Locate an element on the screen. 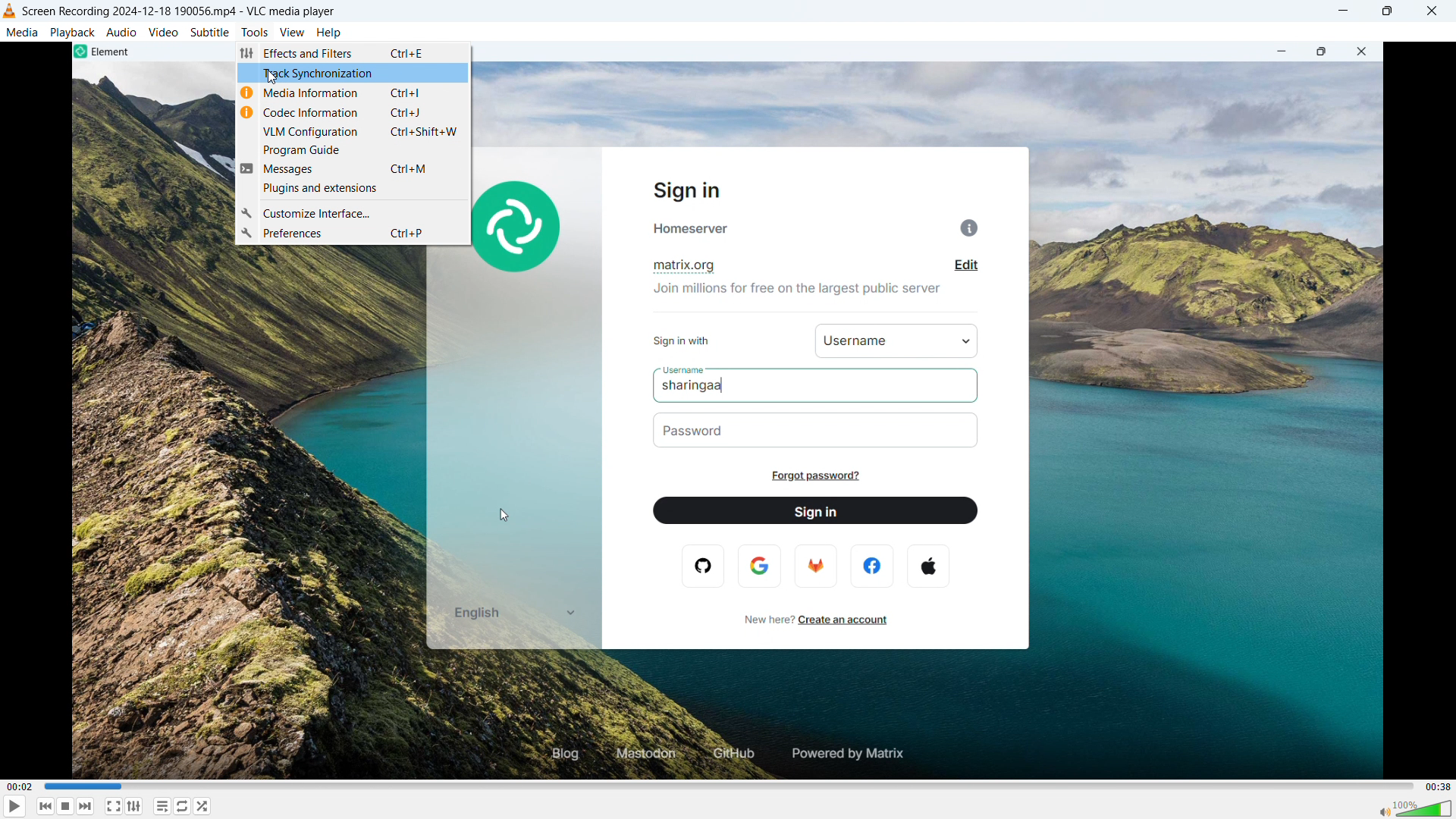  close is located at coordinates (1432, 11).